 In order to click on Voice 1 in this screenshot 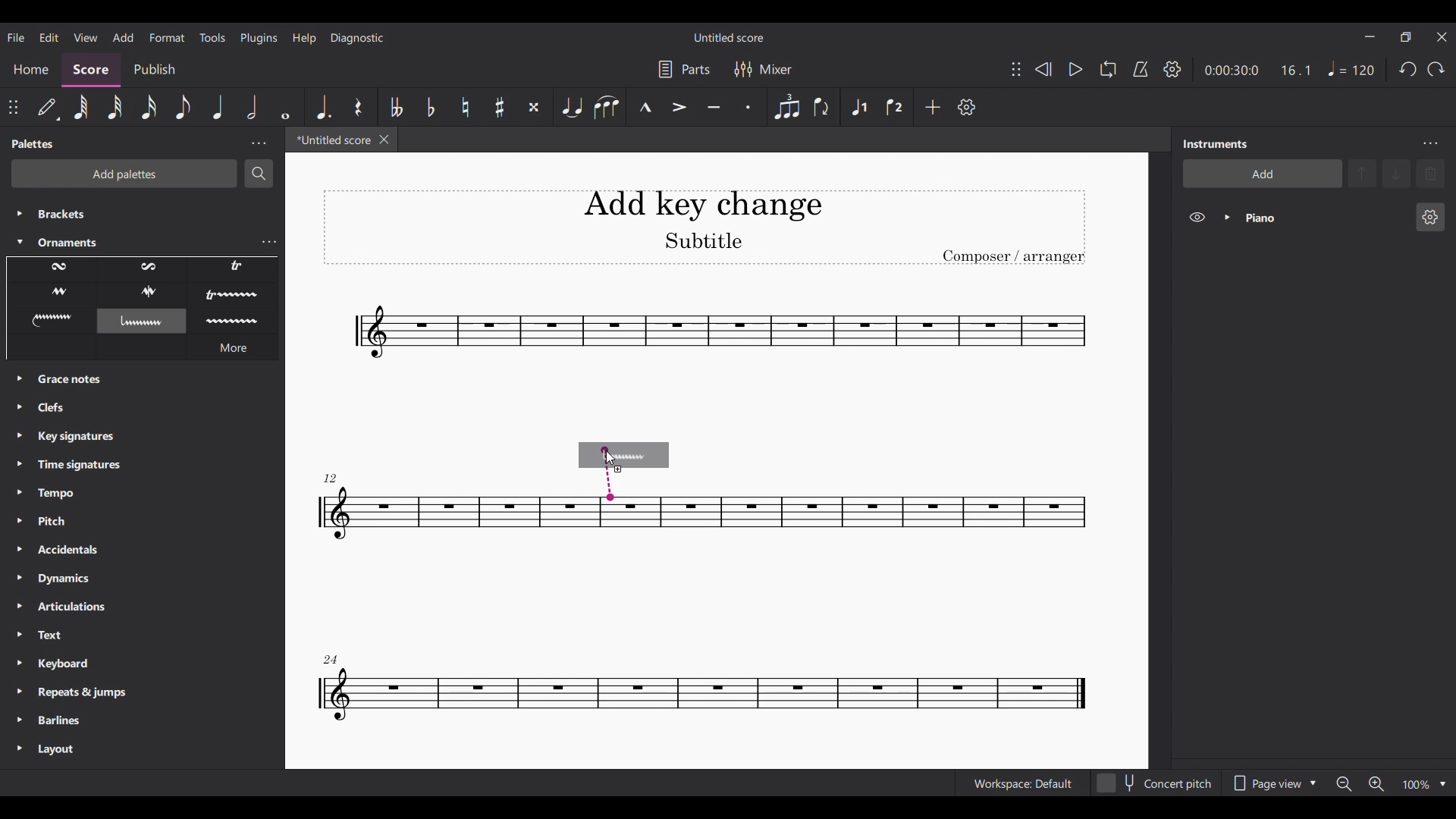, I will do `click(858, 106)`.